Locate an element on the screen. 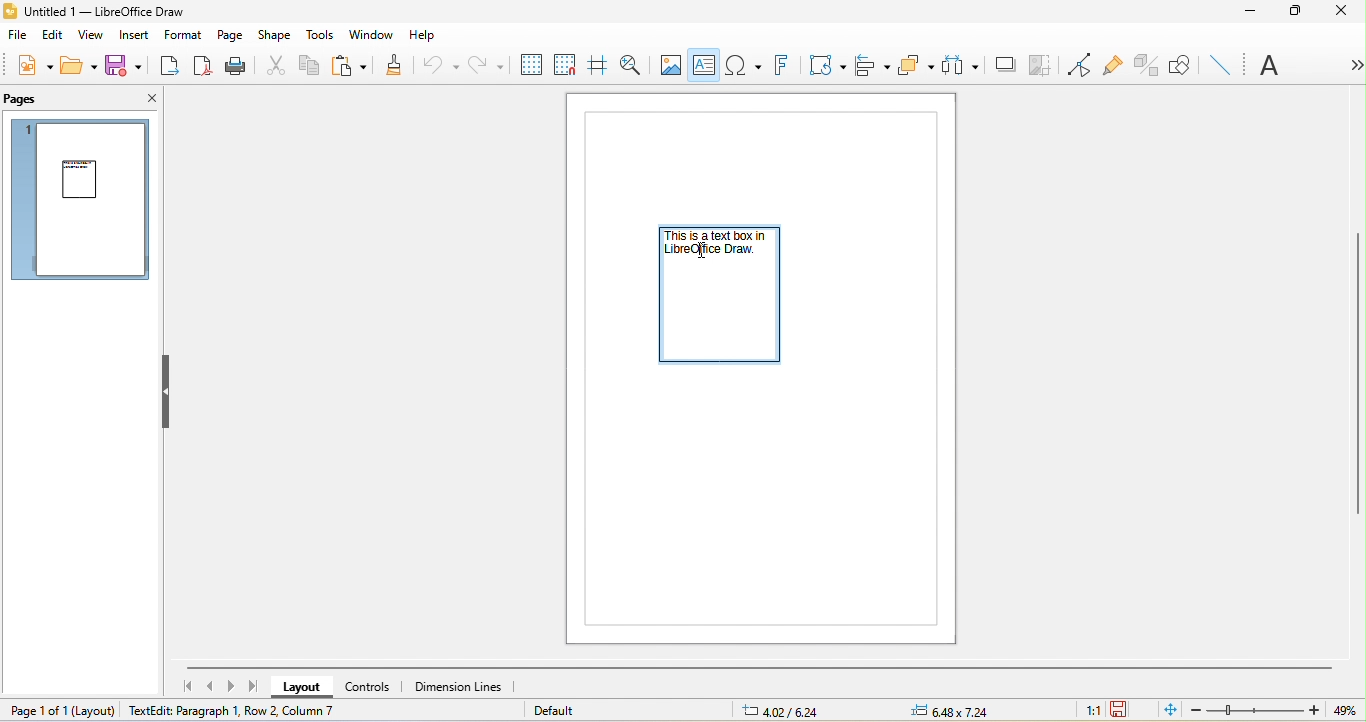  transformation is located at coordinates (822, 67).